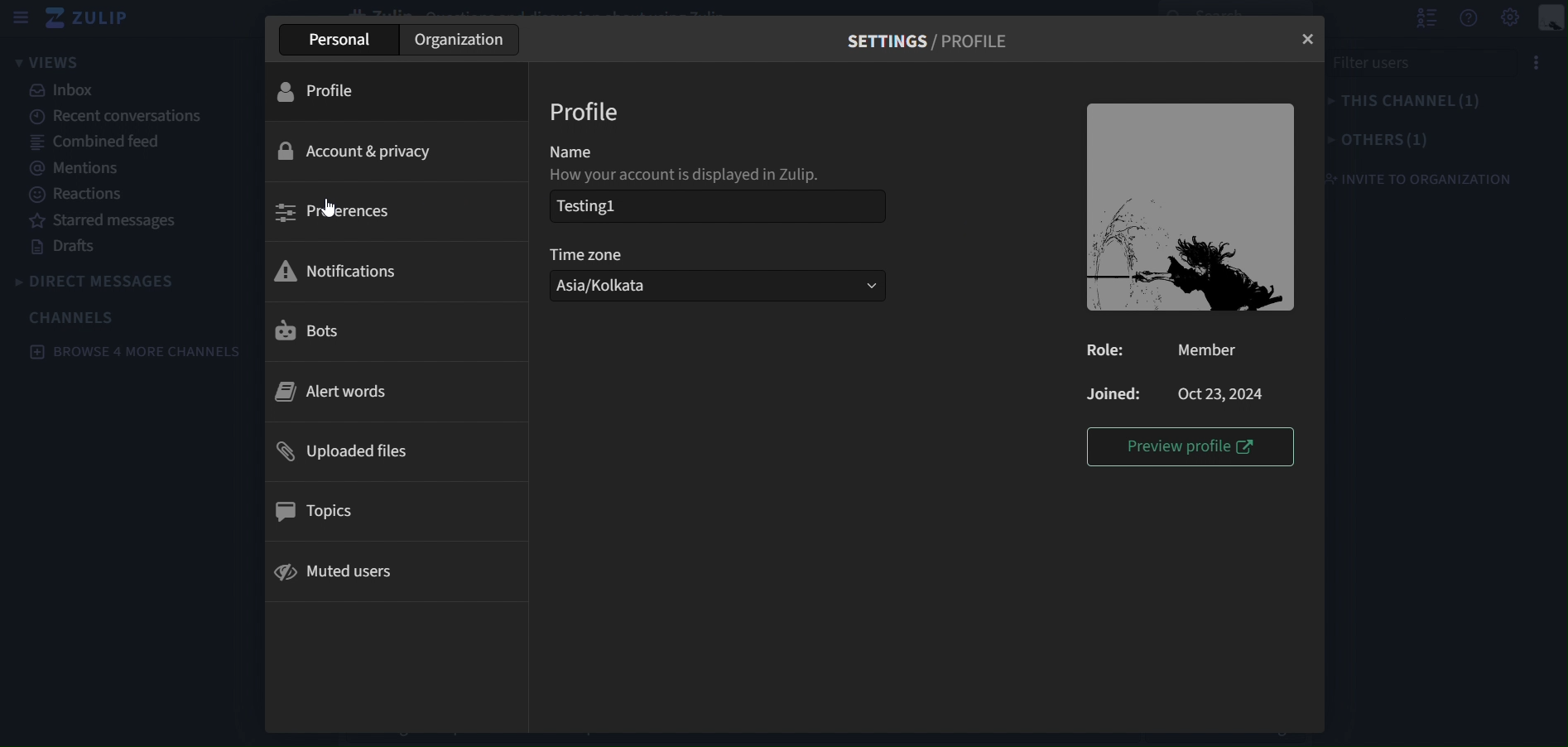  I want to click on setting, so click(1508, 18).